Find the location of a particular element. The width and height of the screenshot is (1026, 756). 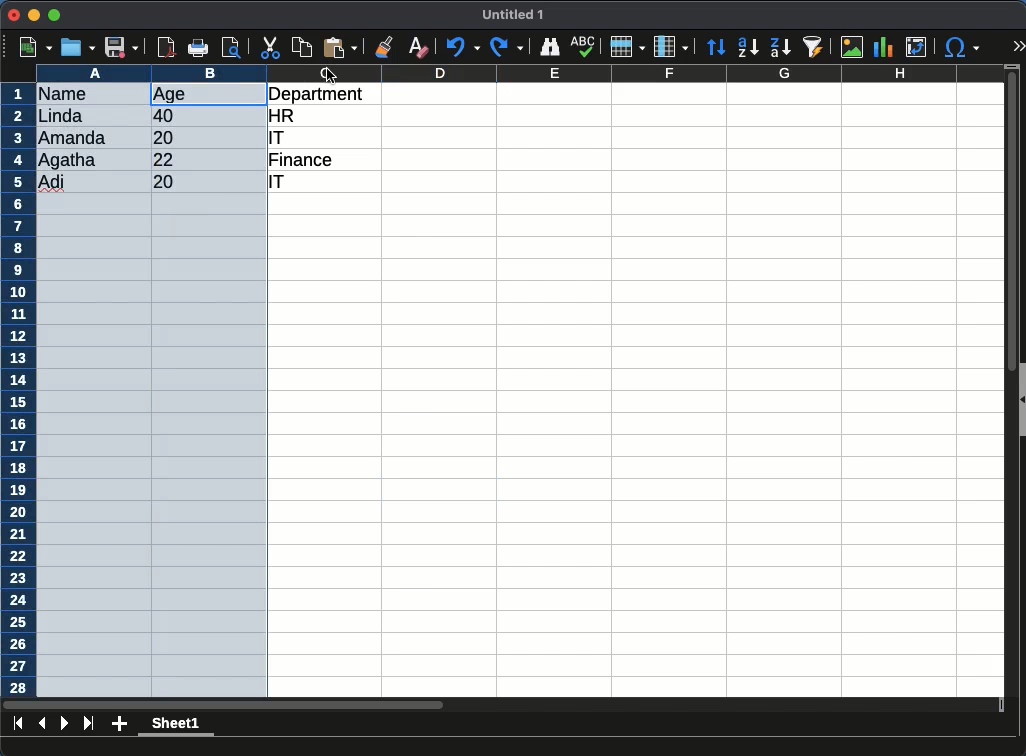

collapse is located at coordinates (1020, 398).